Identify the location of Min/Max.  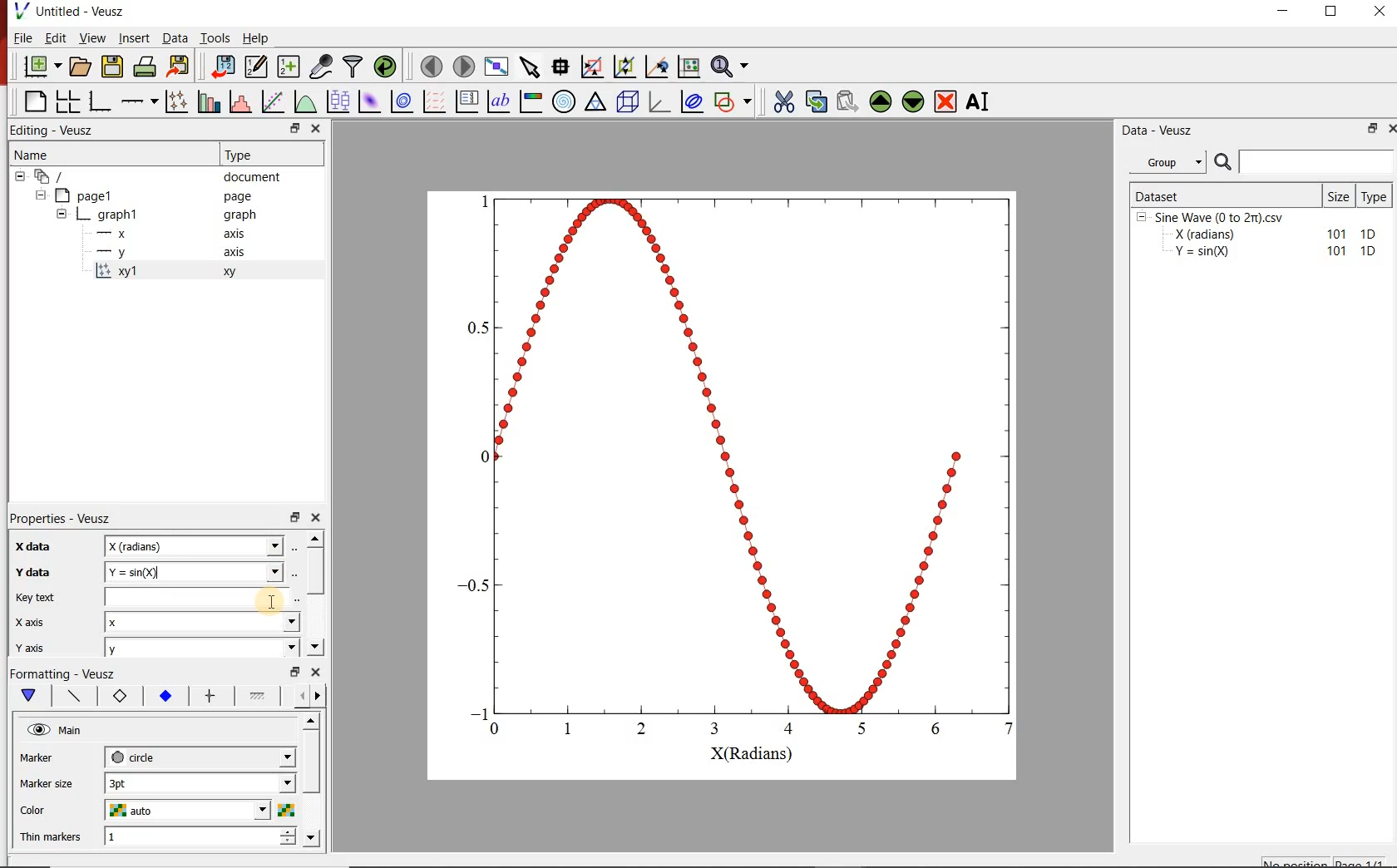
(293, 129).